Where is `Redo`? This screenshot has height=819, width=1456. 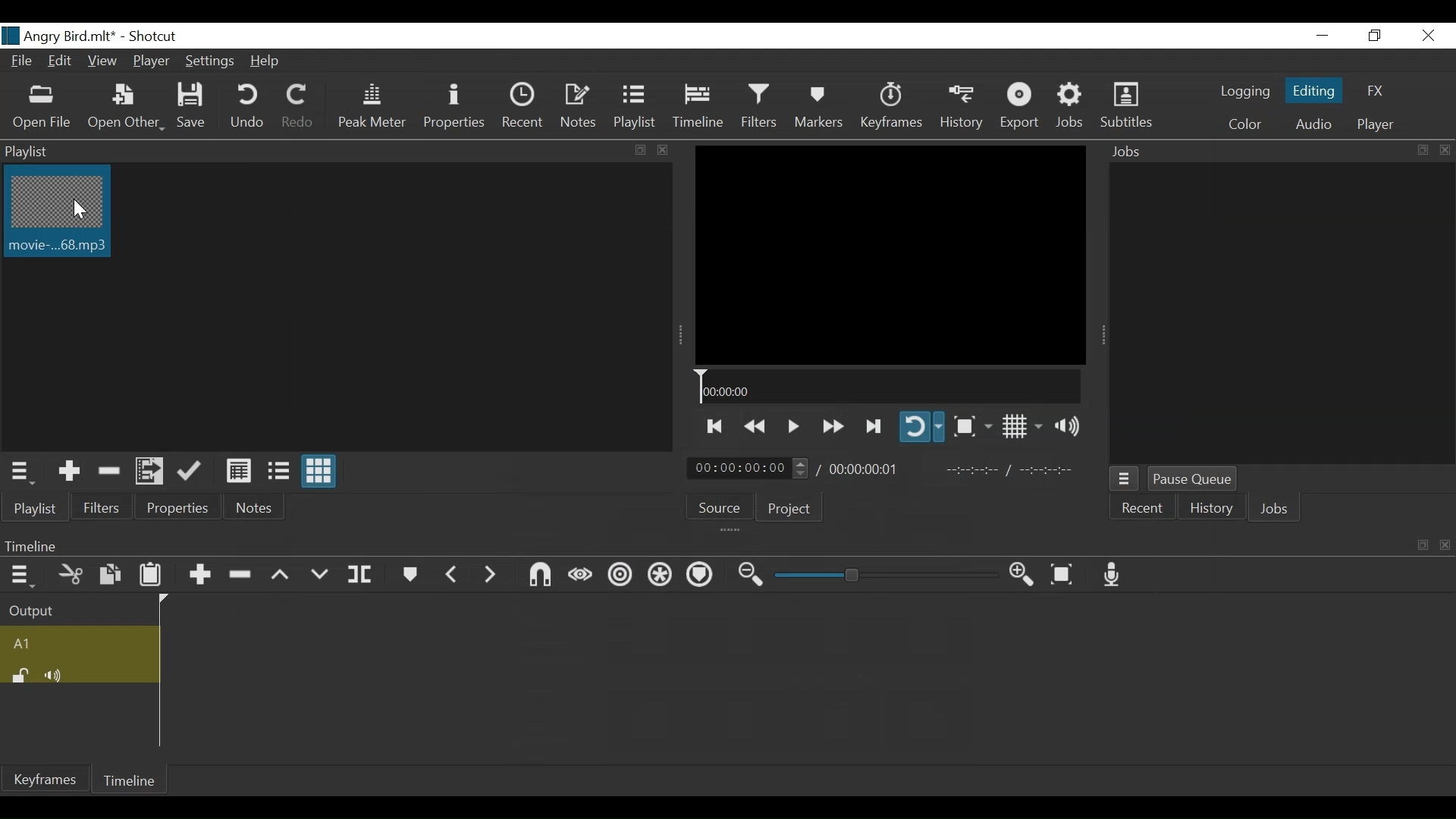
Redo is located at coordinates (293, 107).